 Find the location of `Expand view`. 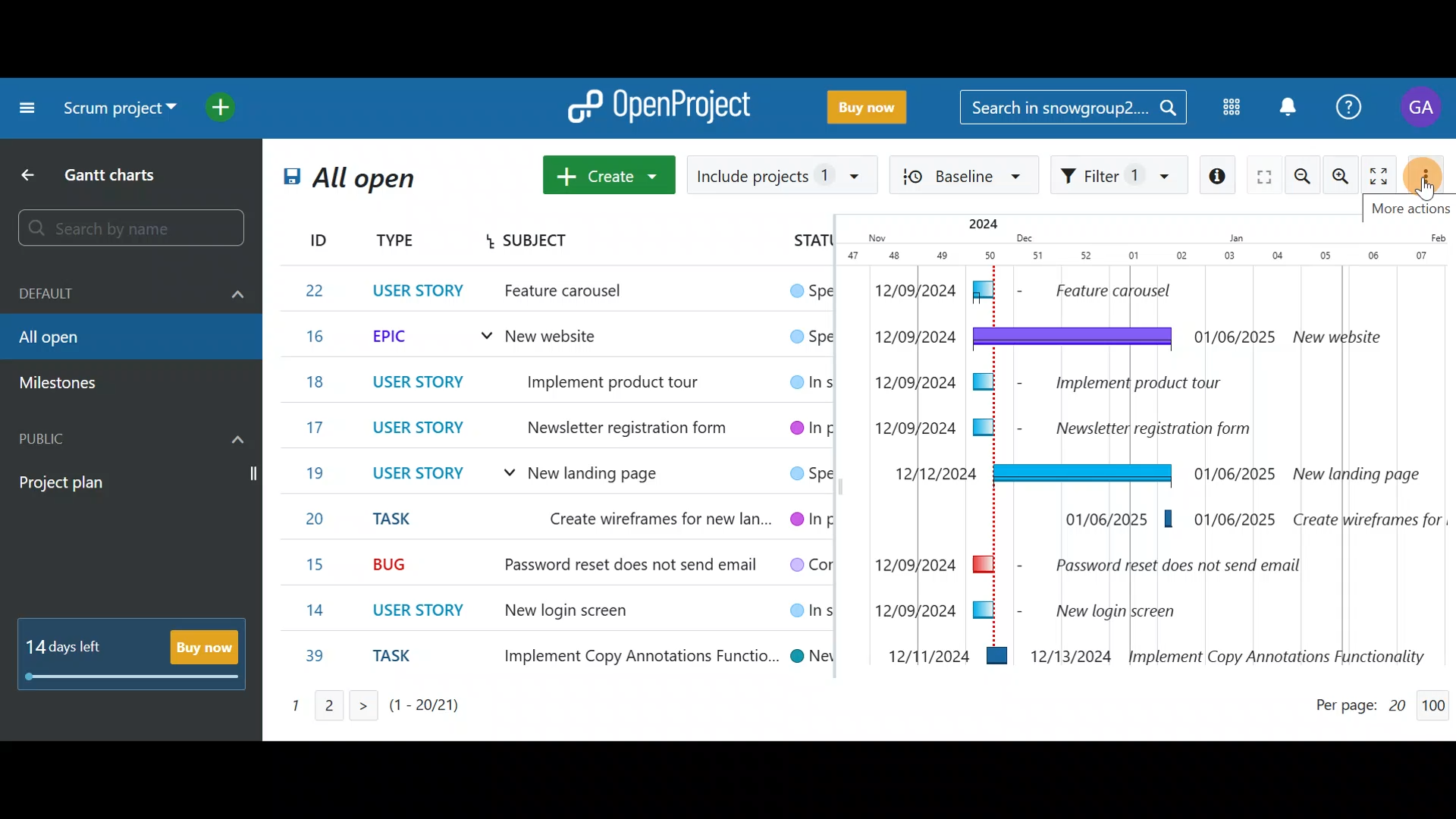

Expand view is located at coordinates (1264, 178).